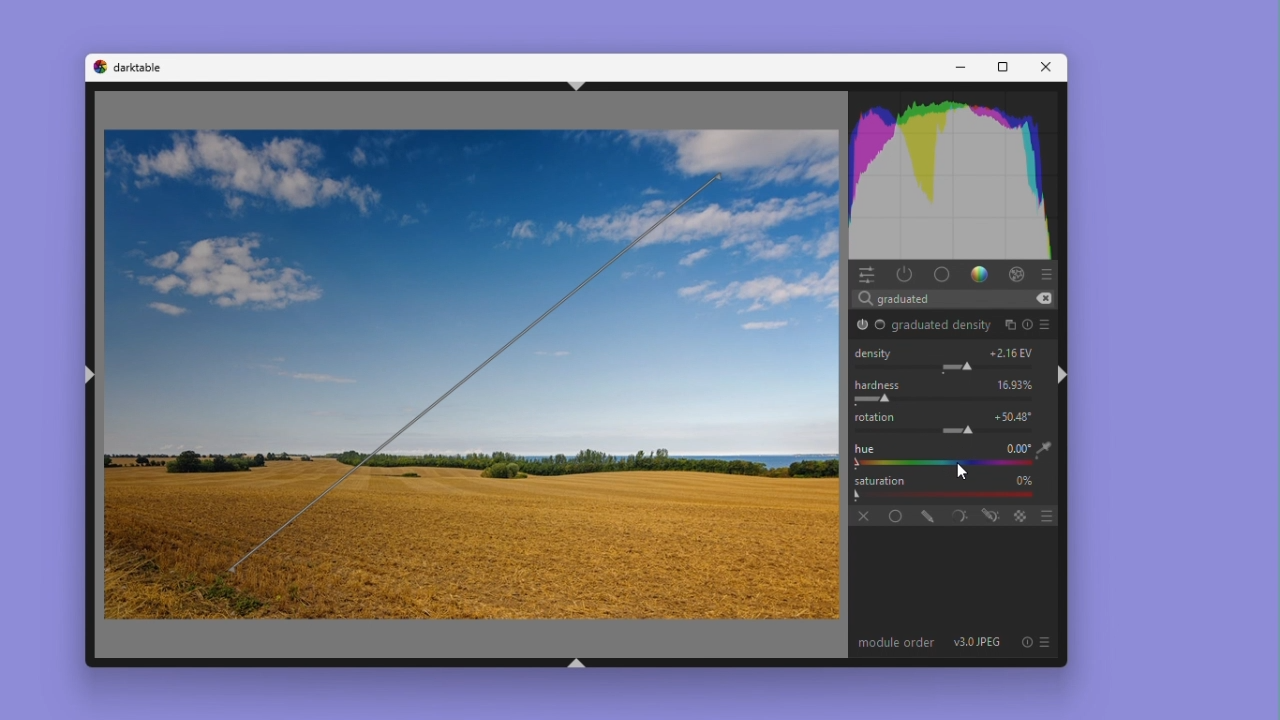  I want to click on 0%, so click(1023, 480).